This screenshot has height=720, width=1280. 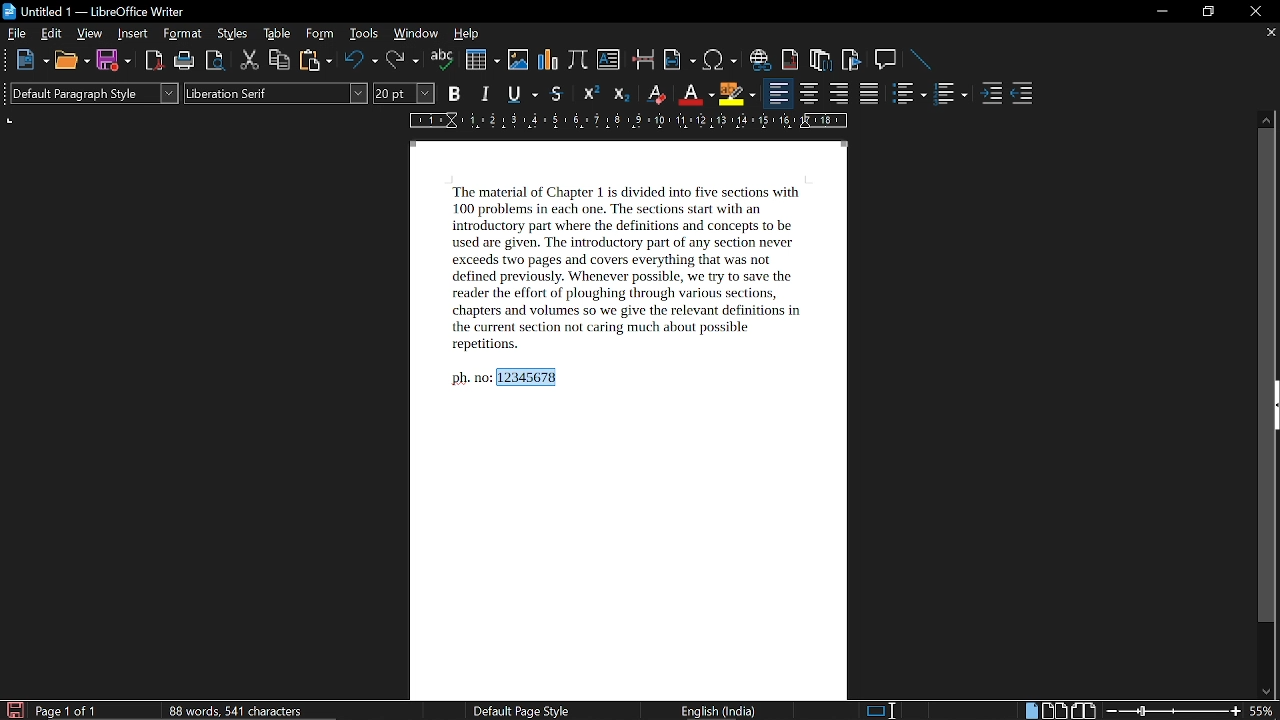 What do you see at coordinates (182, 61) in the screenshot?
I see `print` at bounding box center [182, 61].